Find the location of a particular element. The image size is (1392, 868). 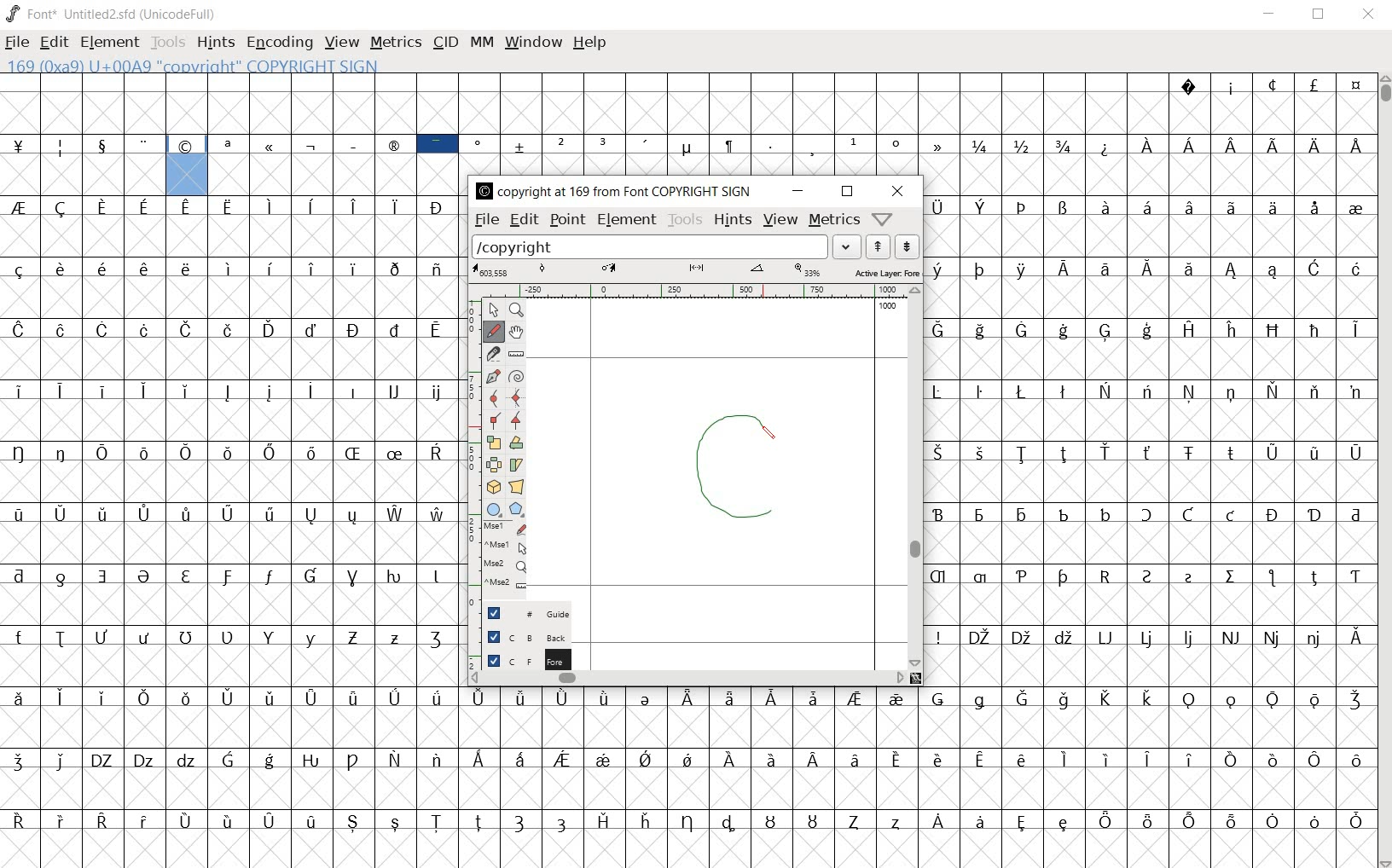

minimize is located at coordinates (1269, 14).